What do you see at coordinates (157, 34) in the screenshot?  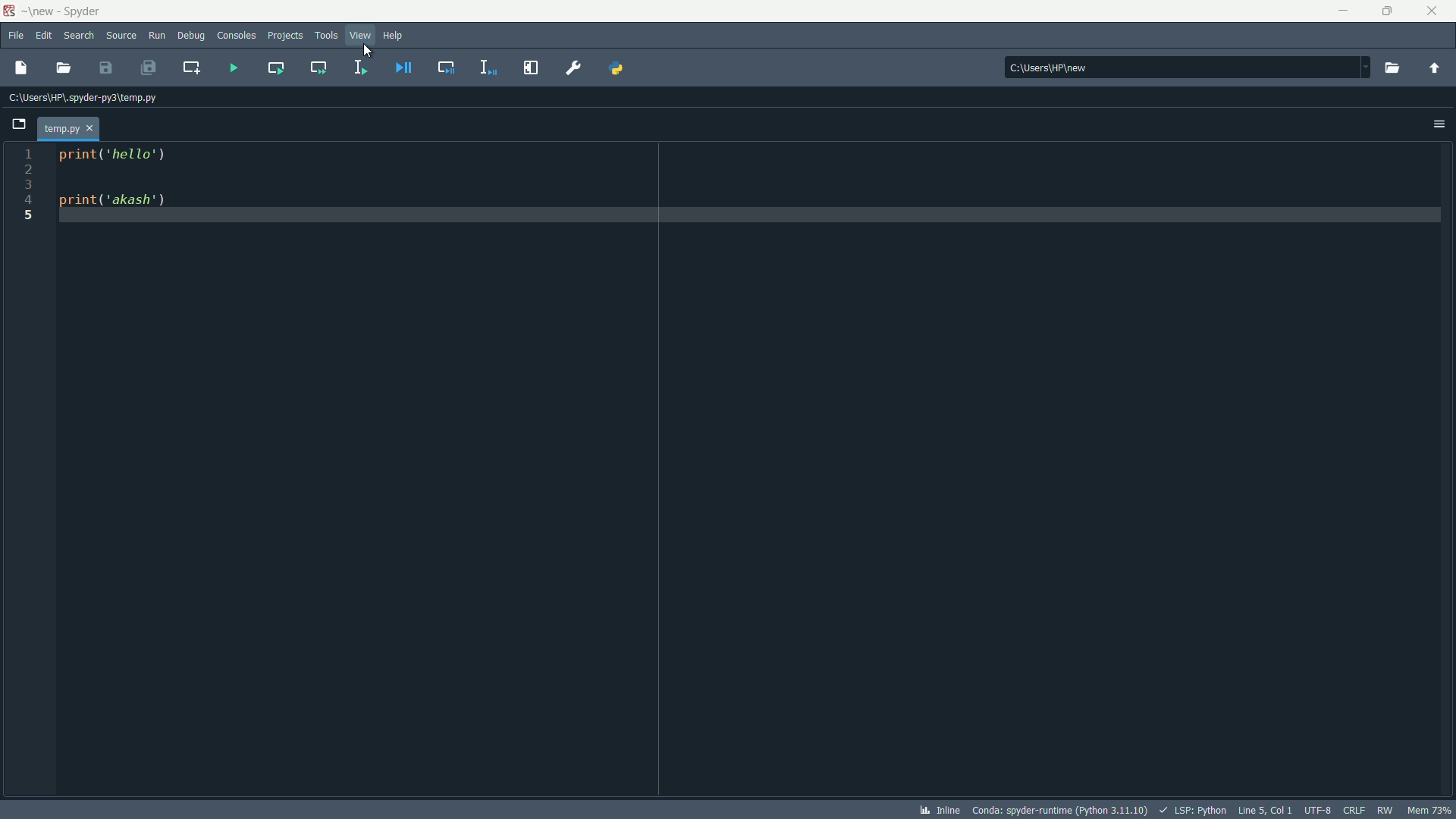 I see `run menu` at bounding box center [157, 34].